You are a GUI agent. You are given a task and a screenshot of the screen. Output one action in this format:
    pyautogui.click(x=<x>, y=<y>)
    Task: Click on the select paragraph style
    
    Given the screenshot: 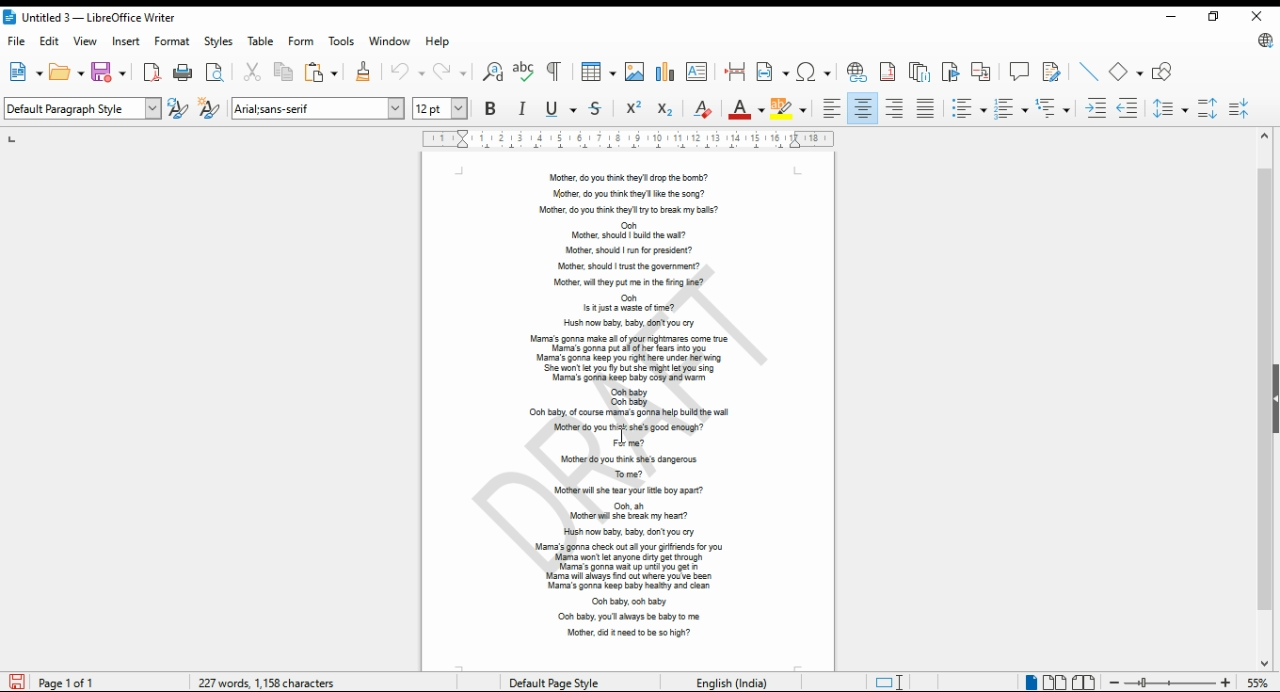 What is the action you would take?
    pyautogui.click(x=84, y=108)
    